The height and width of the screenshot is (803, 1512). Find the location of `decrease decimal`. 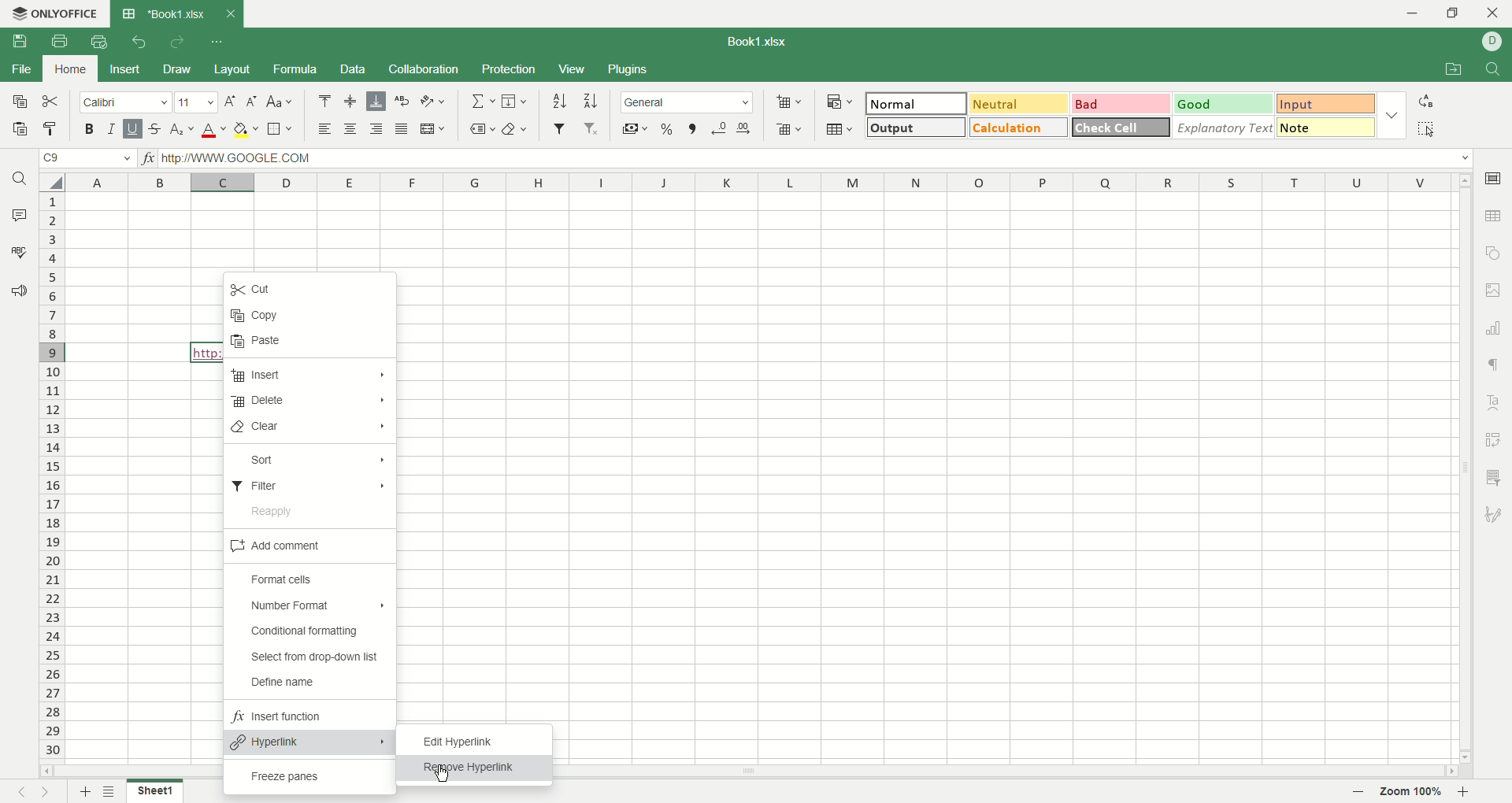

decrease decimal is located at coordinates (719, 128).